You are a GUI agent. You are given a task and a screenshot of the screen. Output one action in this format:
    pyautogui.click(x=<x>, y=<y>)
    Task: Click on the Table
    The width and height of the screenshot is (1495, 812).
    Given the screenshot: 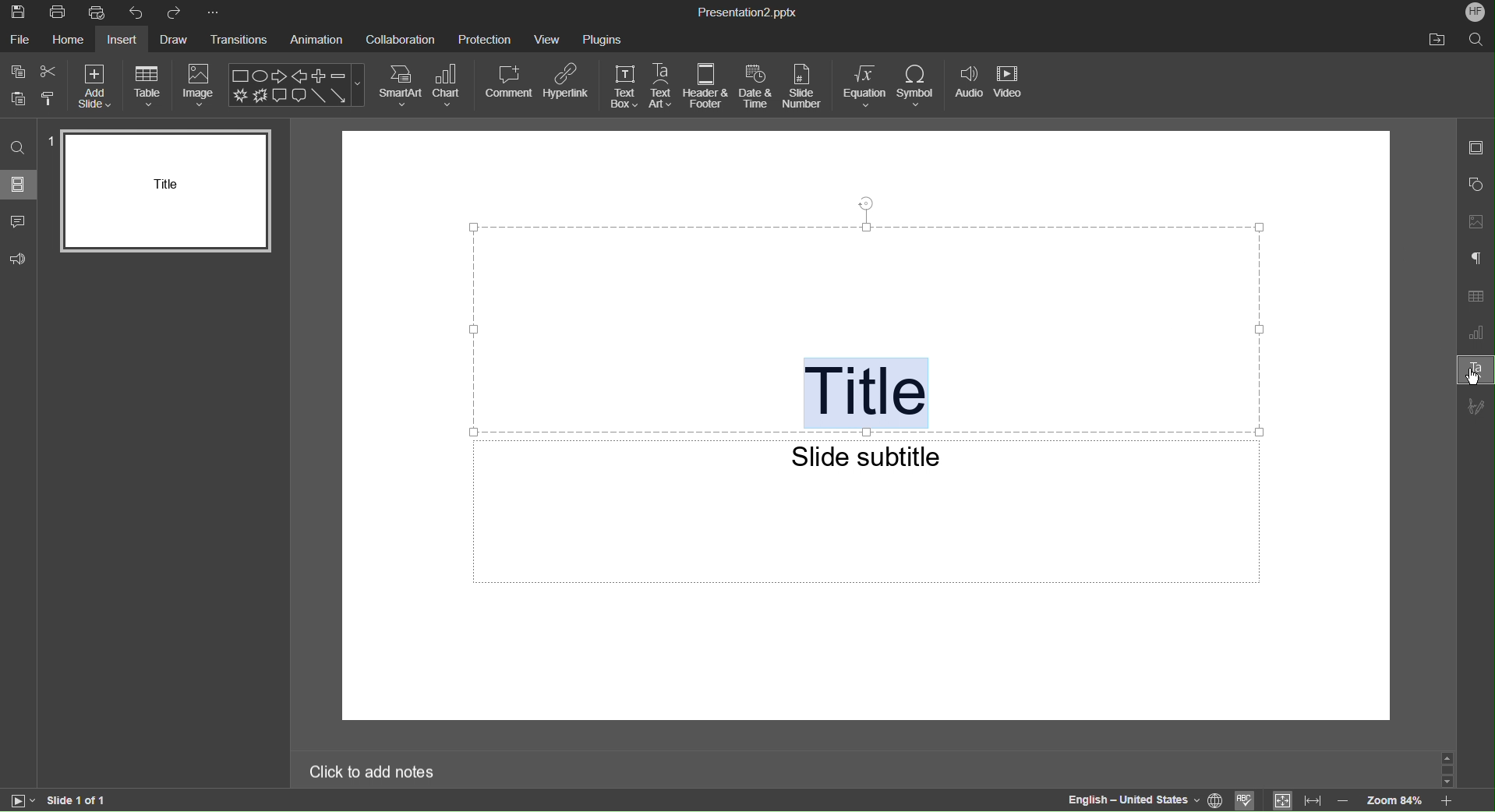 What is the action you would take?
    pyautogui.click(x=147, y=85)
    